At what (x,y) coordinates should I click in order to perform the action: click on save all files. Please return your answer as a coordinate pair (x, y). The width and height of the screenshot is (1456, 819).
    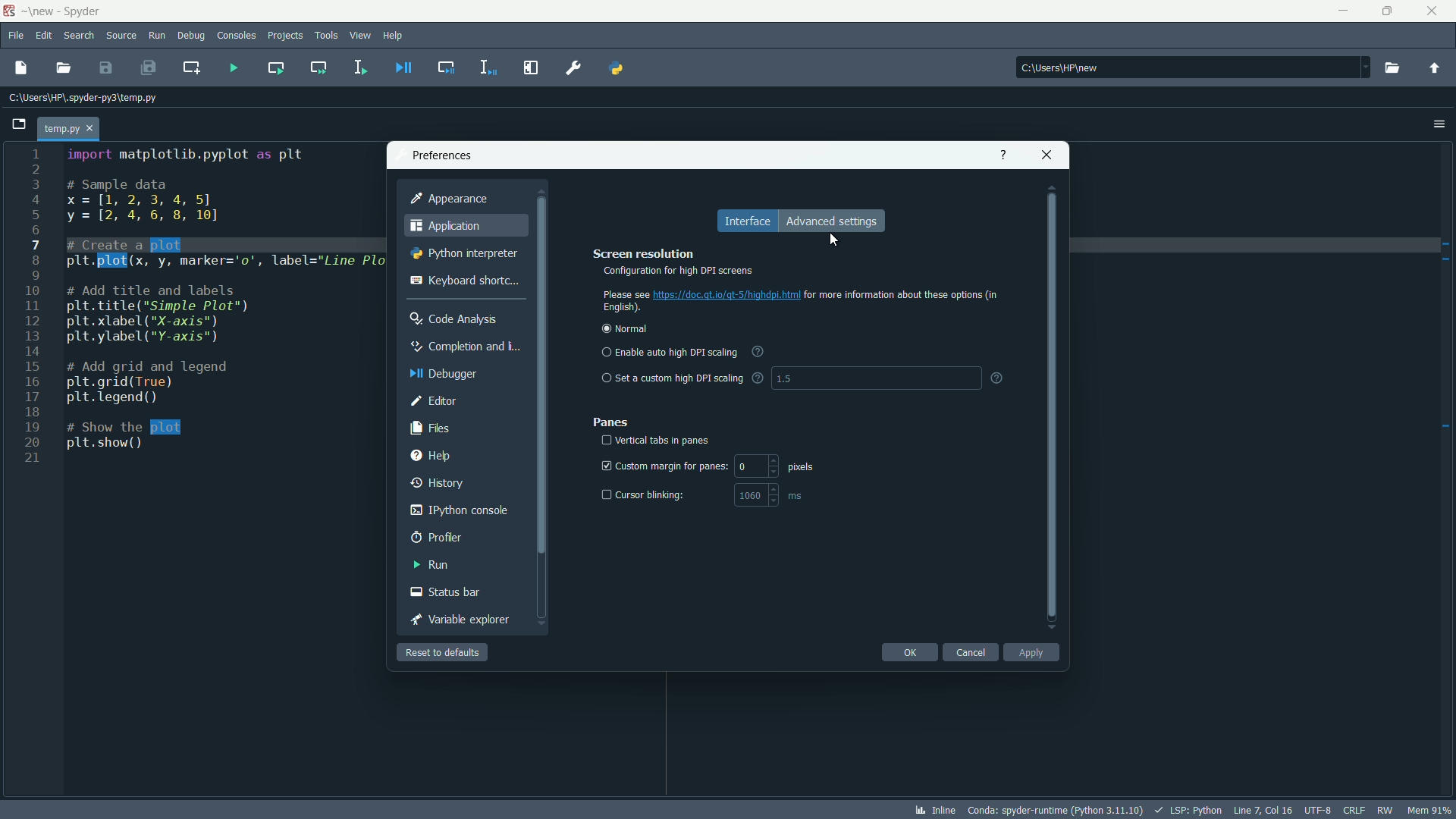
    Looking at the image, I should click on (149, 67).